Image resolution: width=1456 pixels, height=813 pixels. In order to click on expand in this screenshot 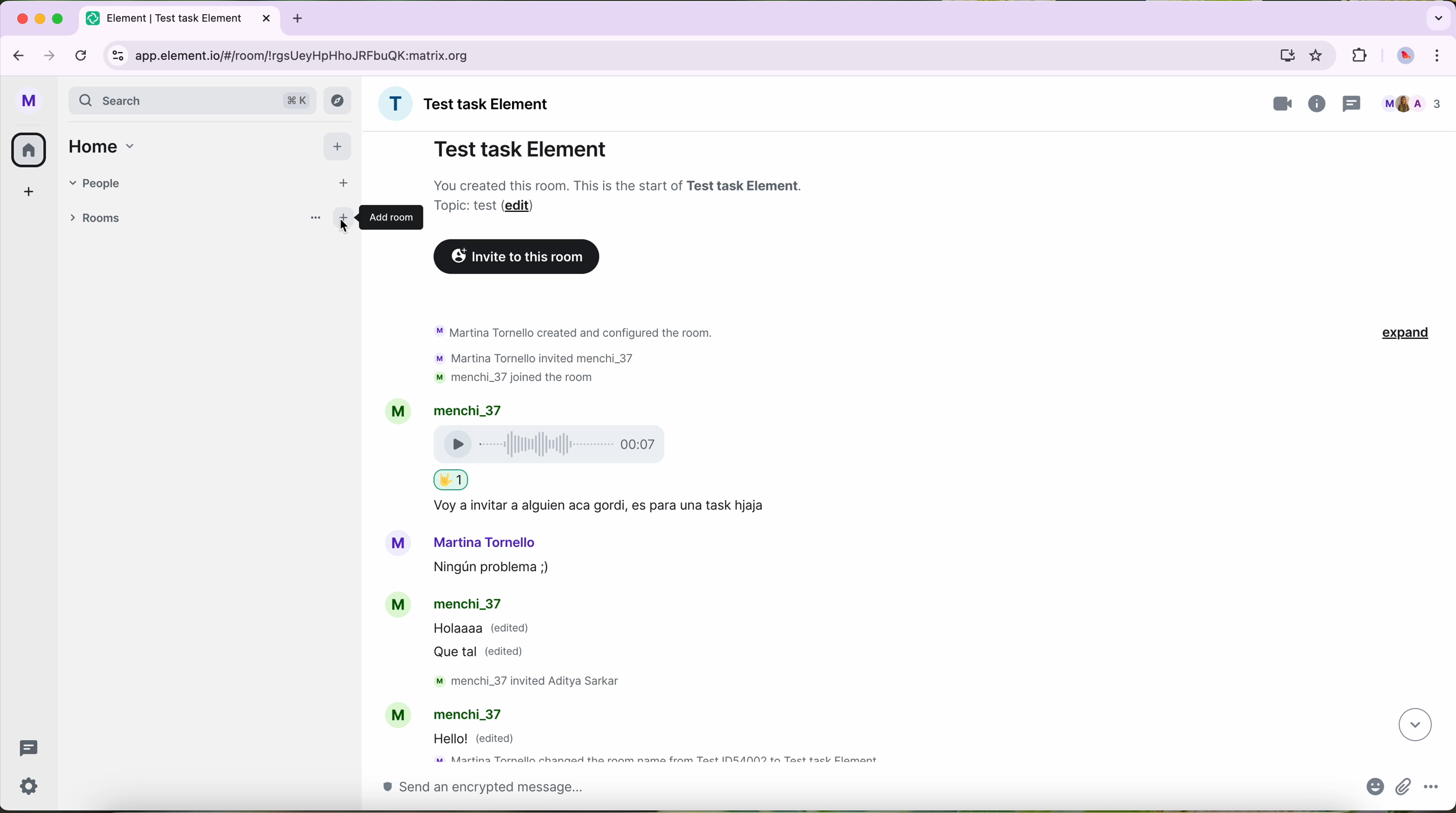, I will do `click(1407, 334)`.